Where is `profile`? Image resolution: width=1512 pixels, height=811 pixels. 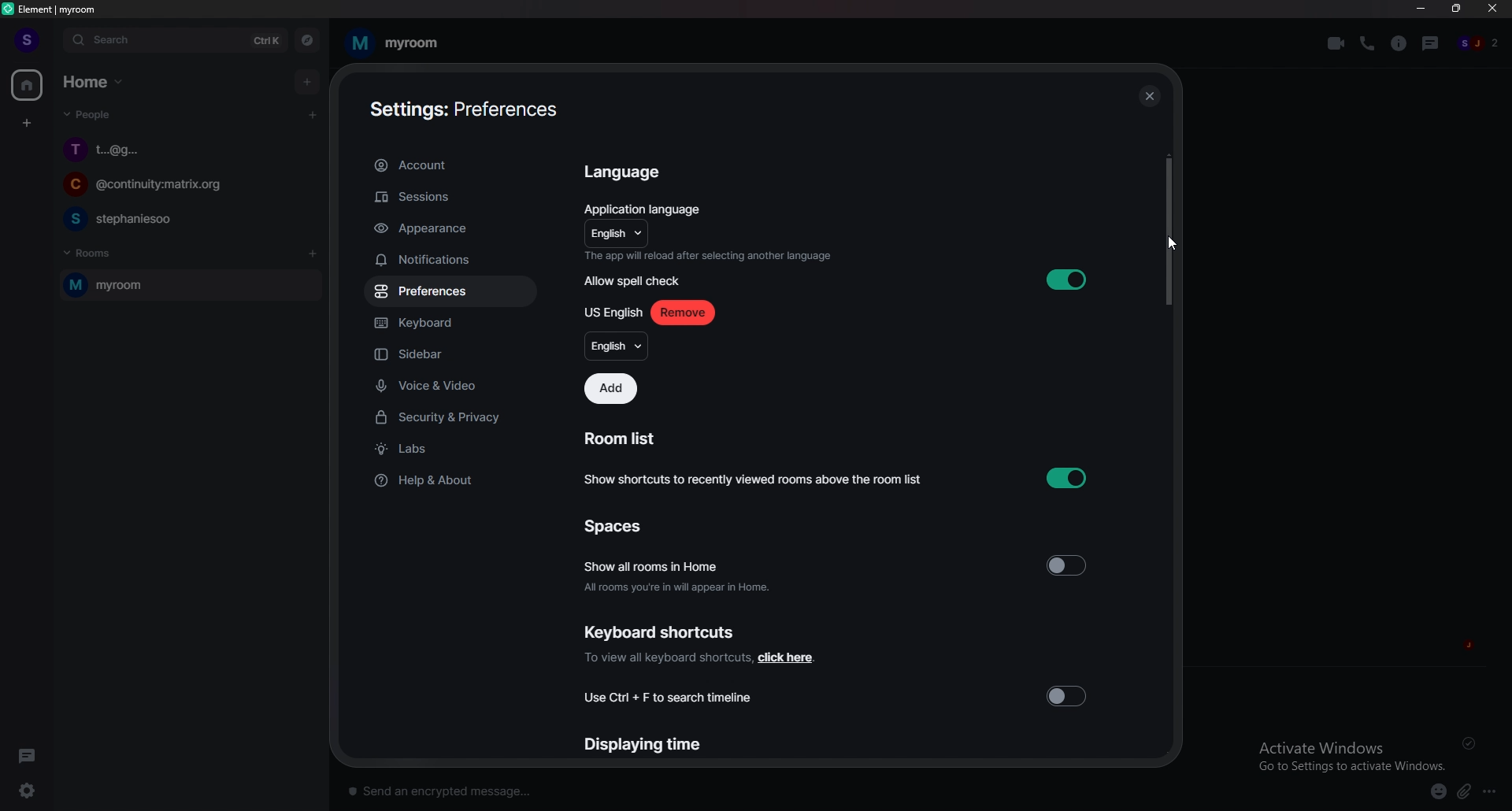 profile is located at coordinates (25, 39).